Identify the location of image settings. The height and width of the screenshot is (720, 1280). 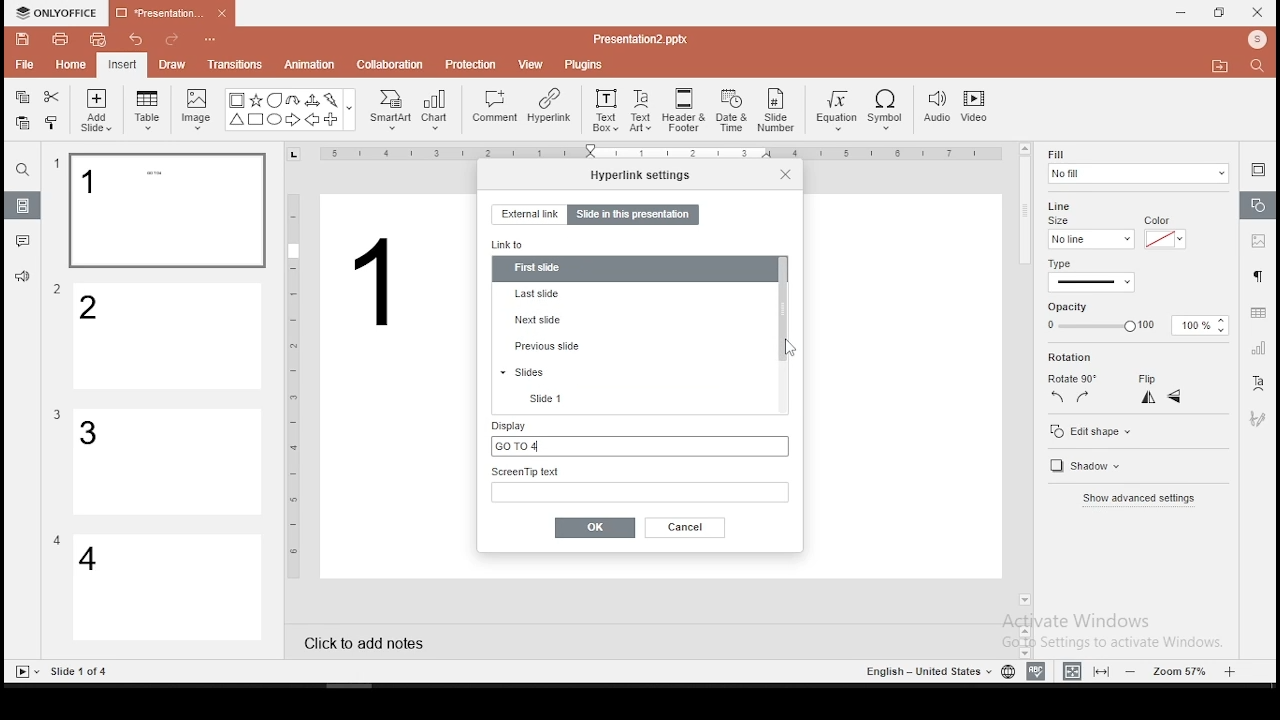
(1256, 243).